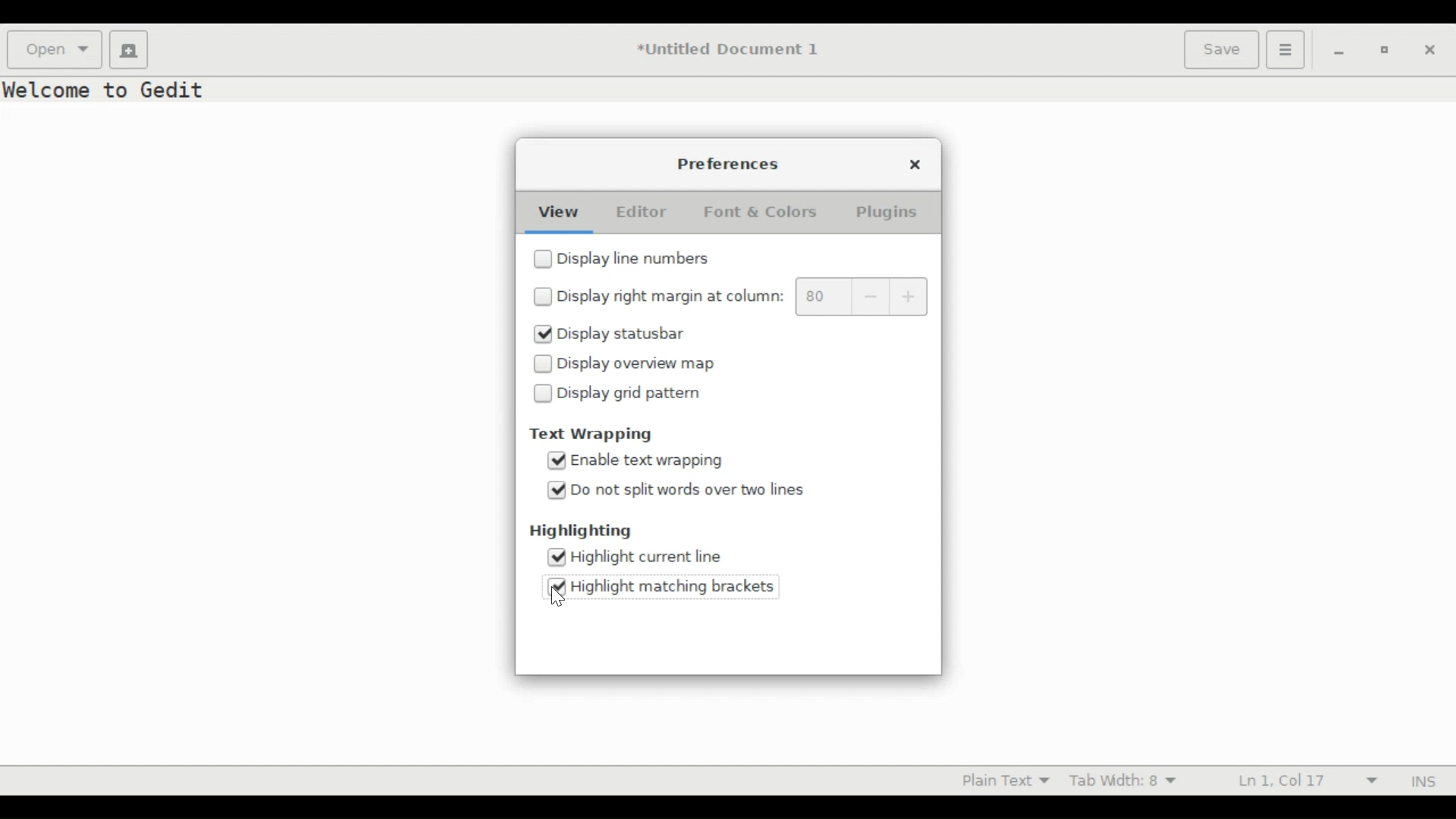  I want to click on Highlight mode dropdown menu, so click(1002, 781).